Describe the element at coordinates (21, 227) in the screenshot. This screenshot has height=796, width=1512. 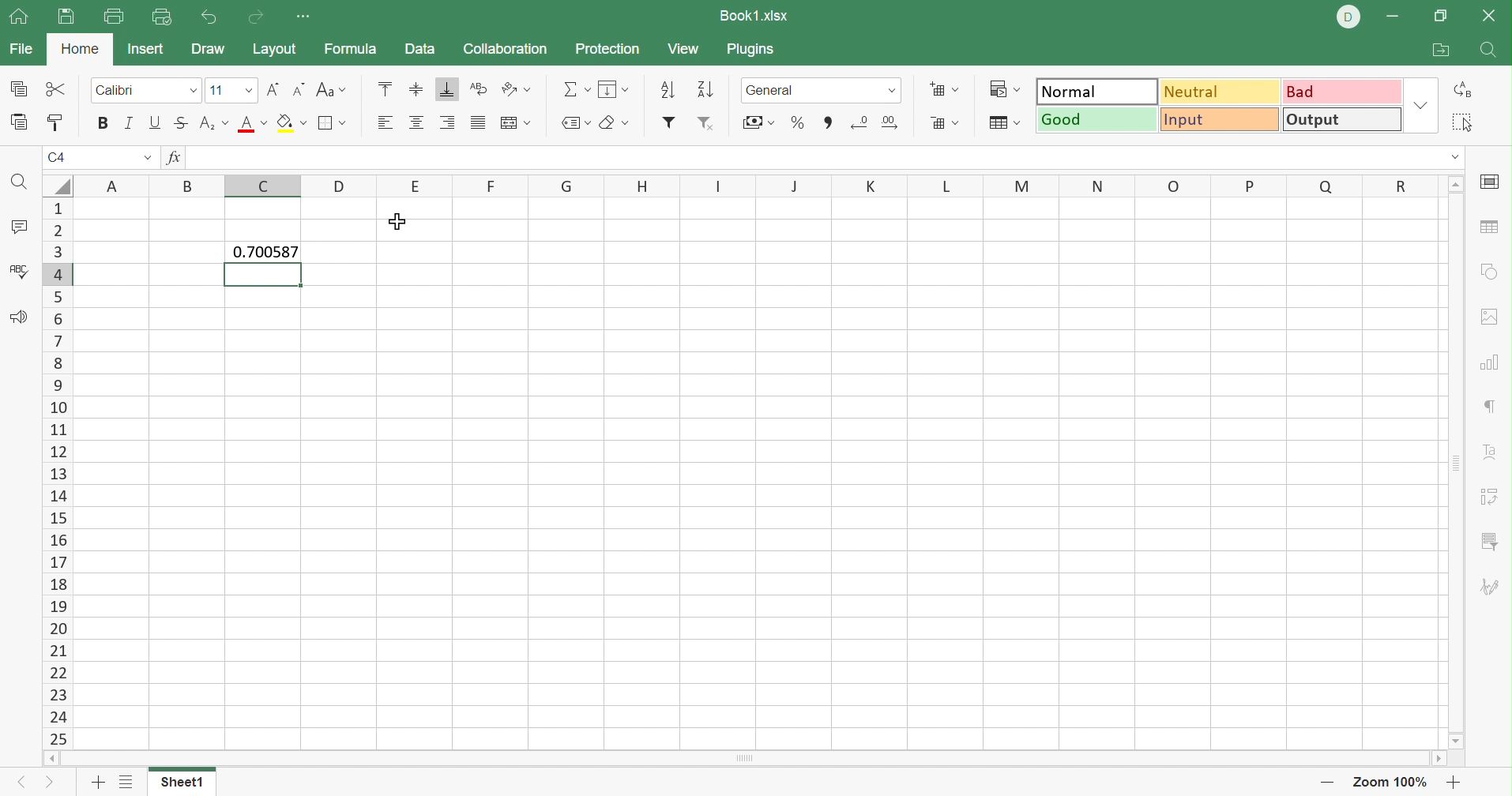
I see `Comments` at that location.